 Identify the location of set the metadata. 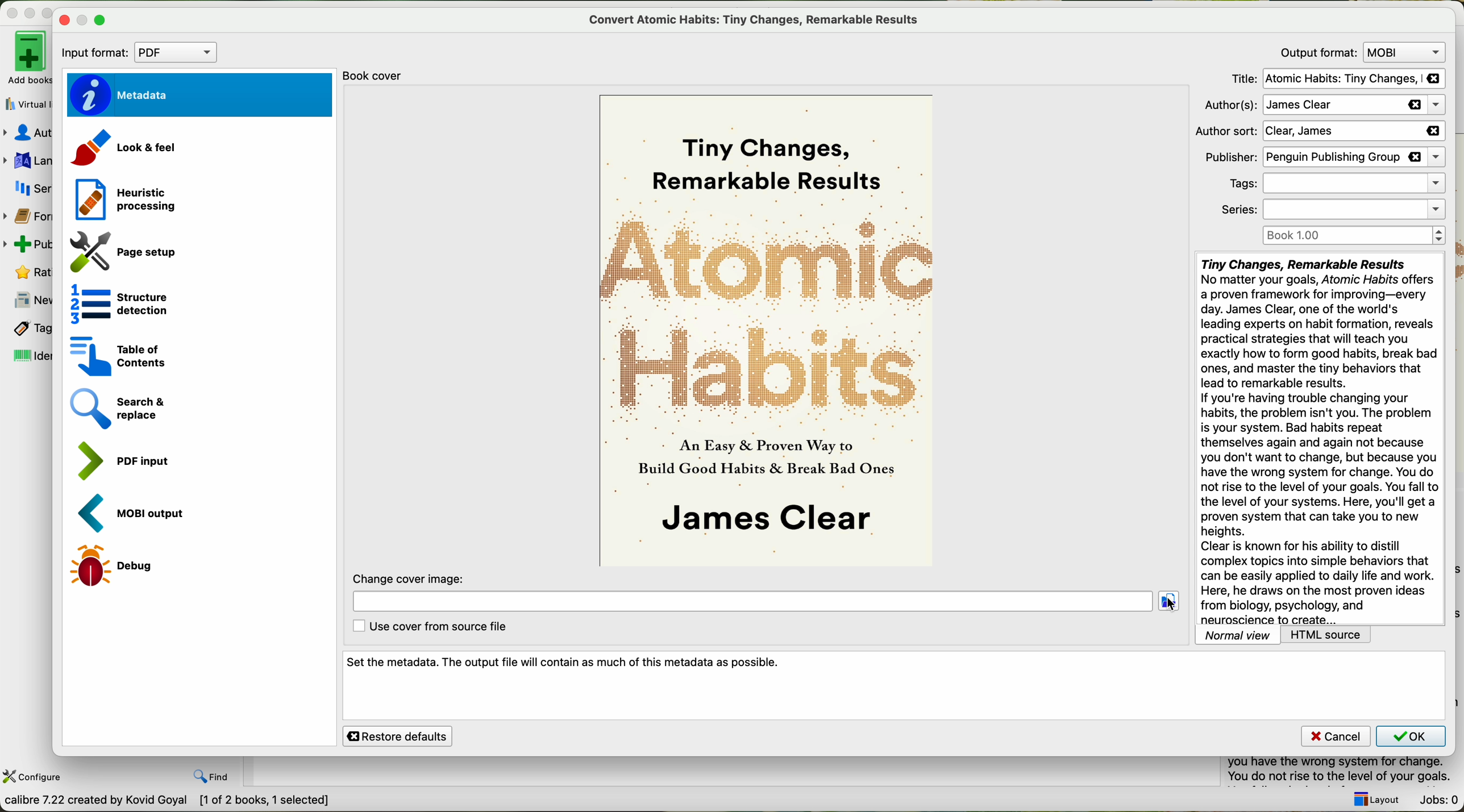
(895, 686).